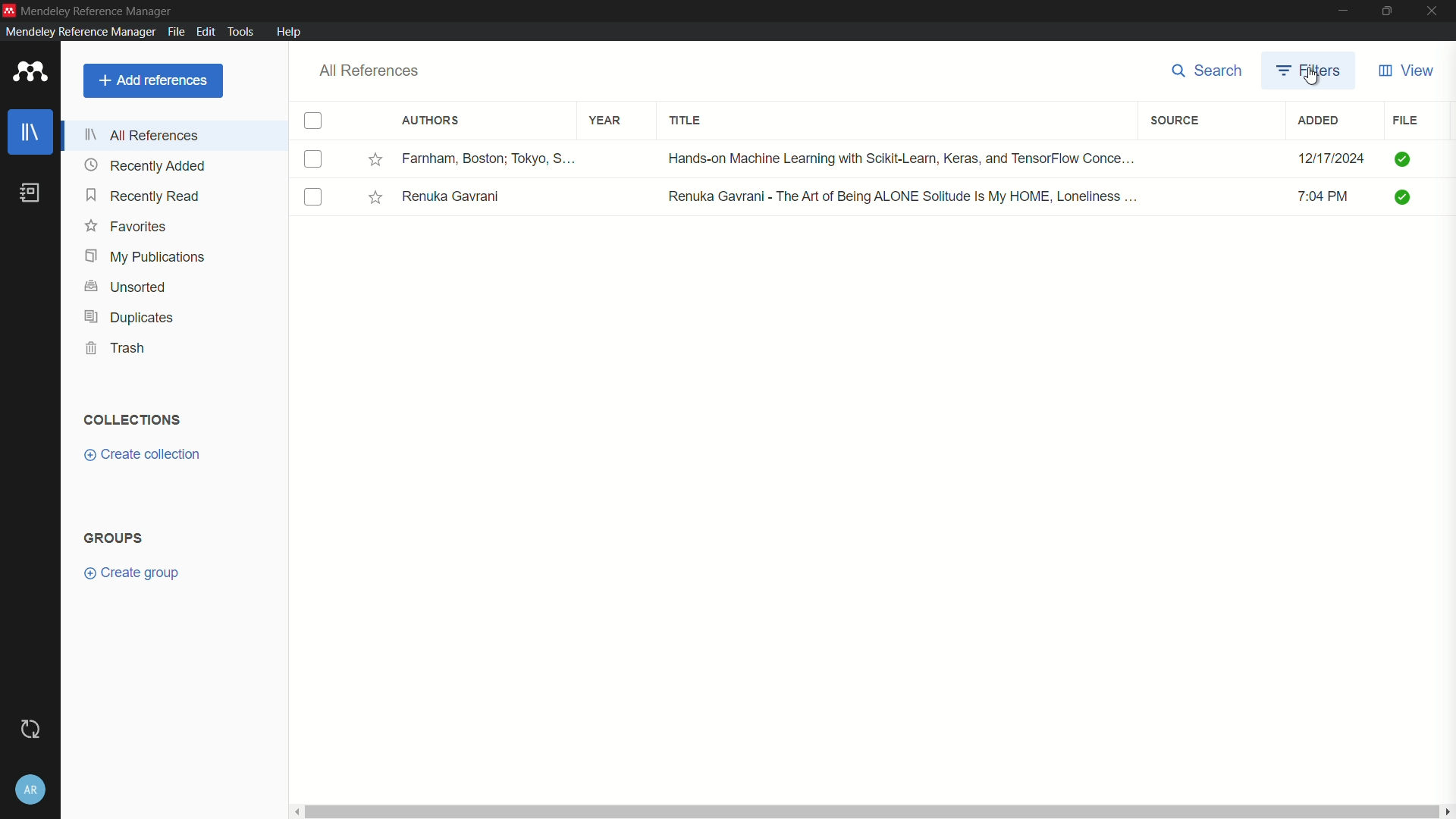 This screenshot has width=1456, height=819. I want to click on Starred, so click(374, 158).